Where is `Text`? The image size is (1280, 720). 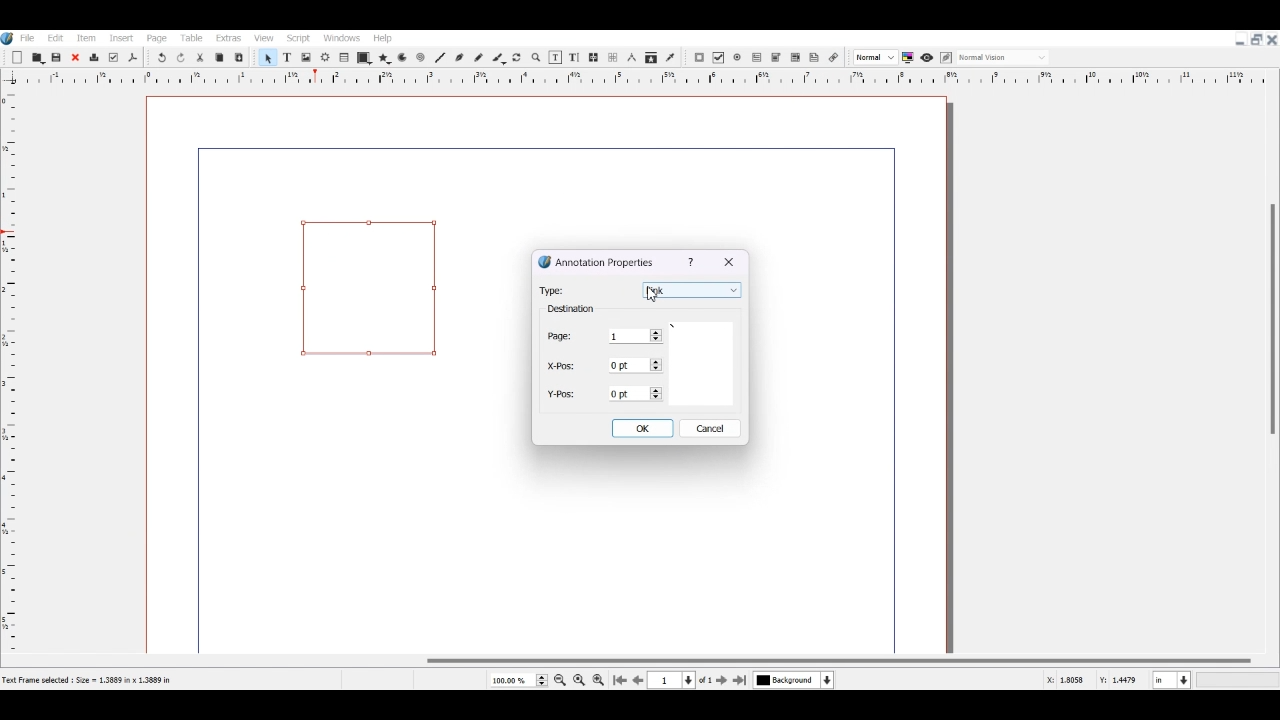
Text is located at coordinates (570, 310).